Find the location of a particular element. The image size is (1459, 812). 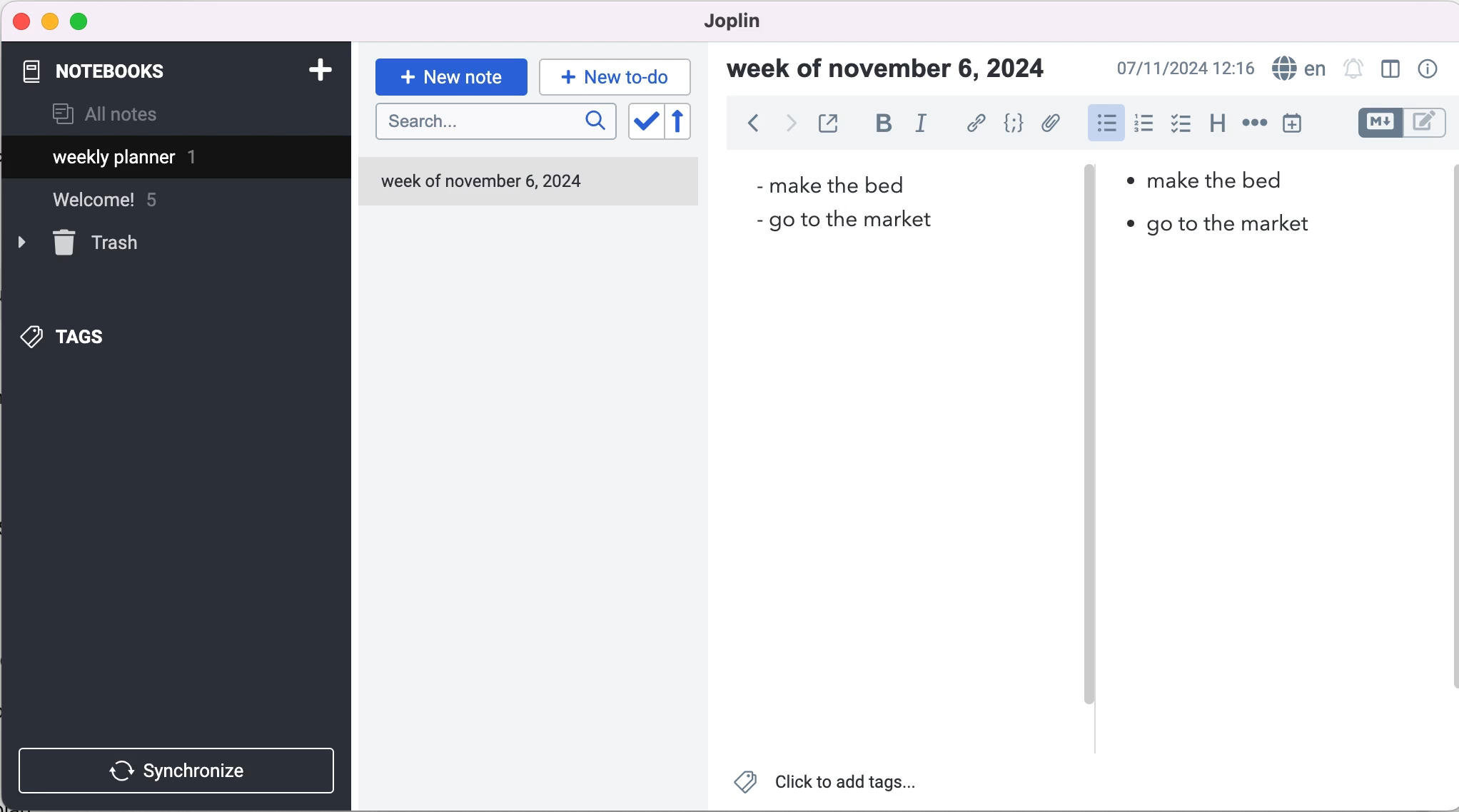

make the bed is located at coordinates (1205, 178).